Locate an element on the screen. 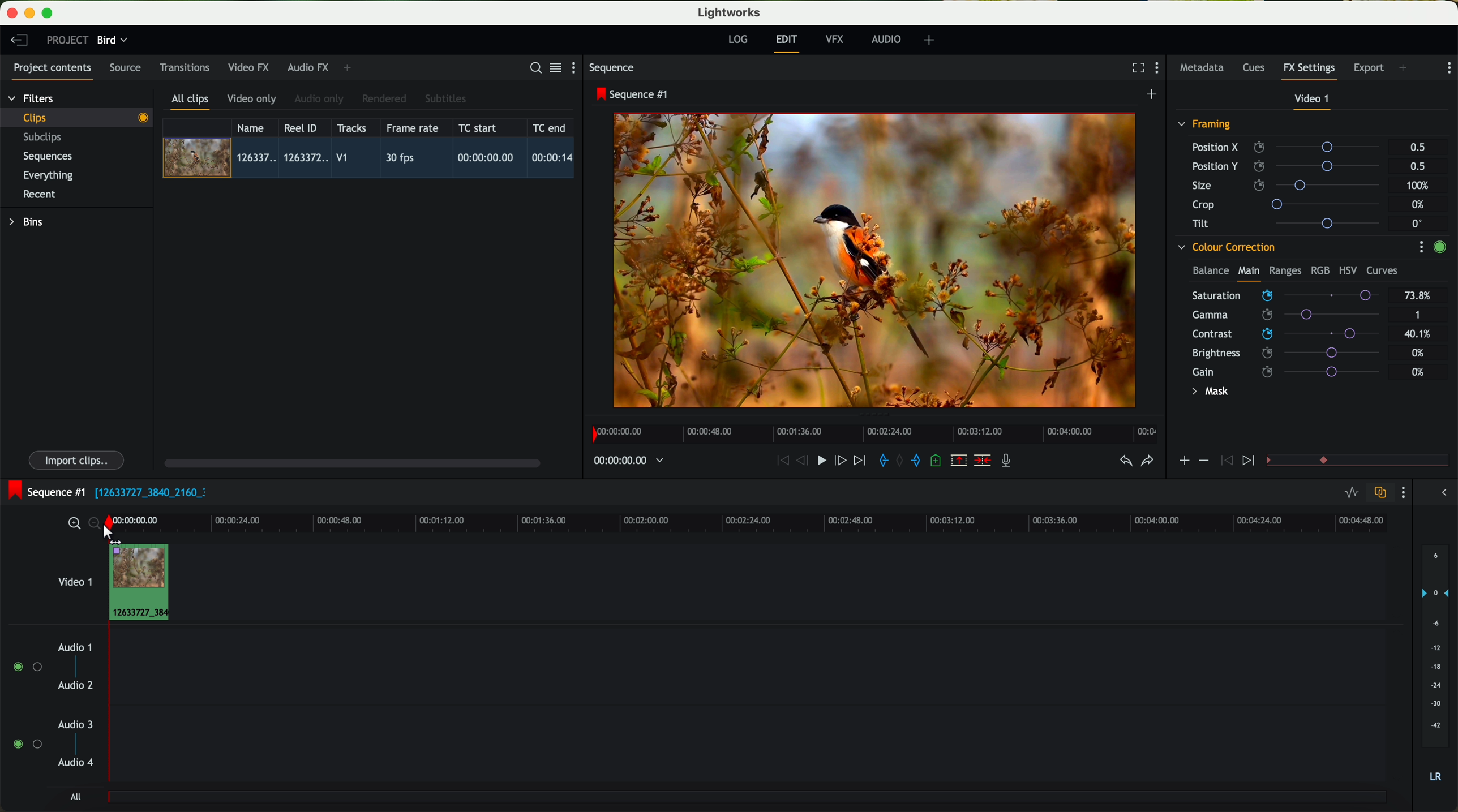 This screenshot has width=1458, height=812. minimize program is located at coordinates (32, 14).